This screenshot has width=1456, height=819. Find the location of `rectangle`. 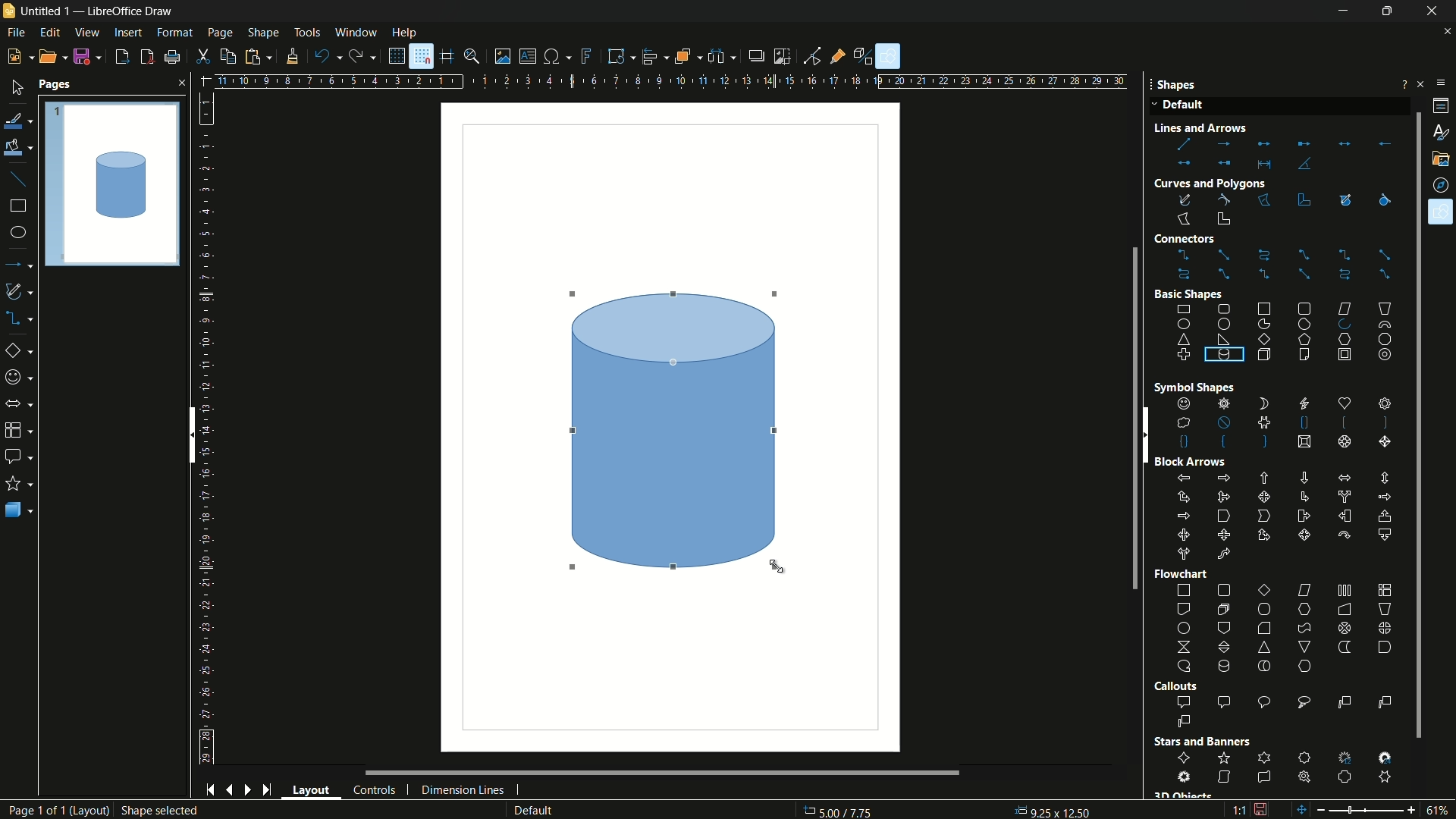

rectangle is located at coordinates (18, 206).